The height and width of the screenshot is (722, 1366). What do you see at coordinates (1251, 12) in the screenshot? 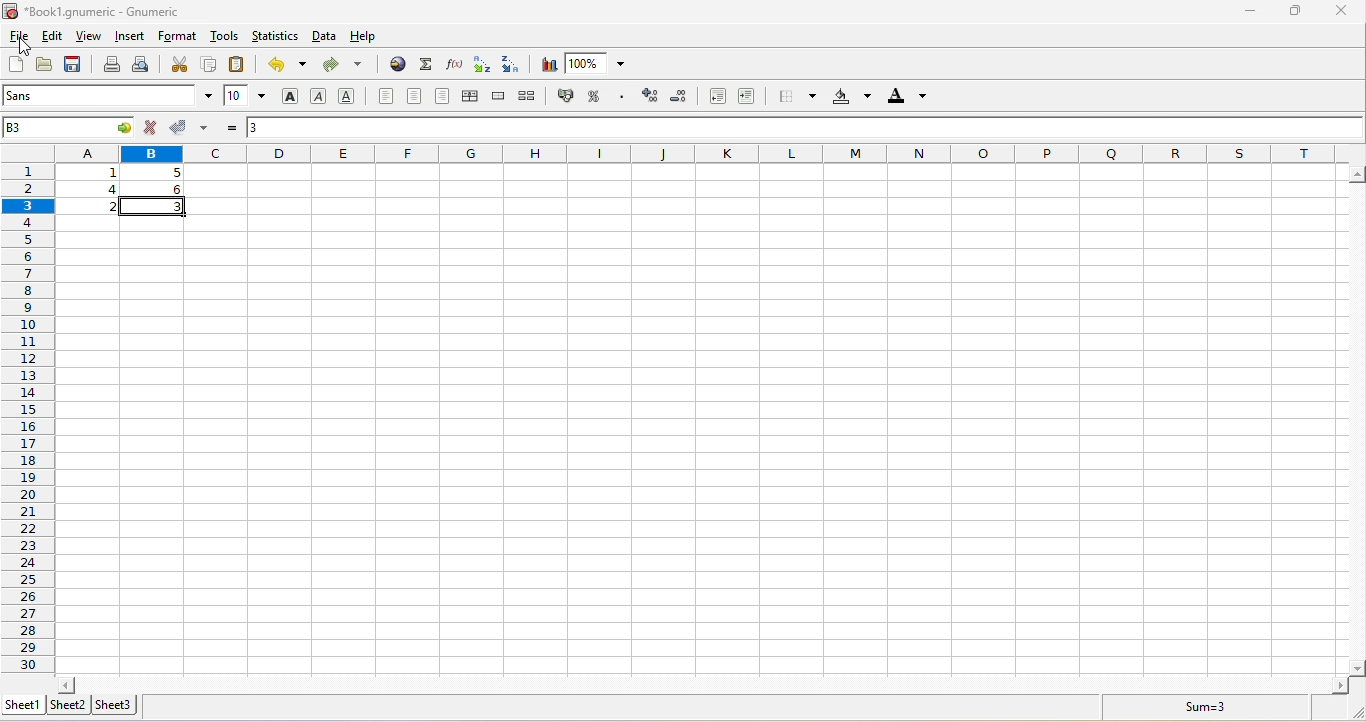
I see `minimize` at bounding box center [1251, 12].